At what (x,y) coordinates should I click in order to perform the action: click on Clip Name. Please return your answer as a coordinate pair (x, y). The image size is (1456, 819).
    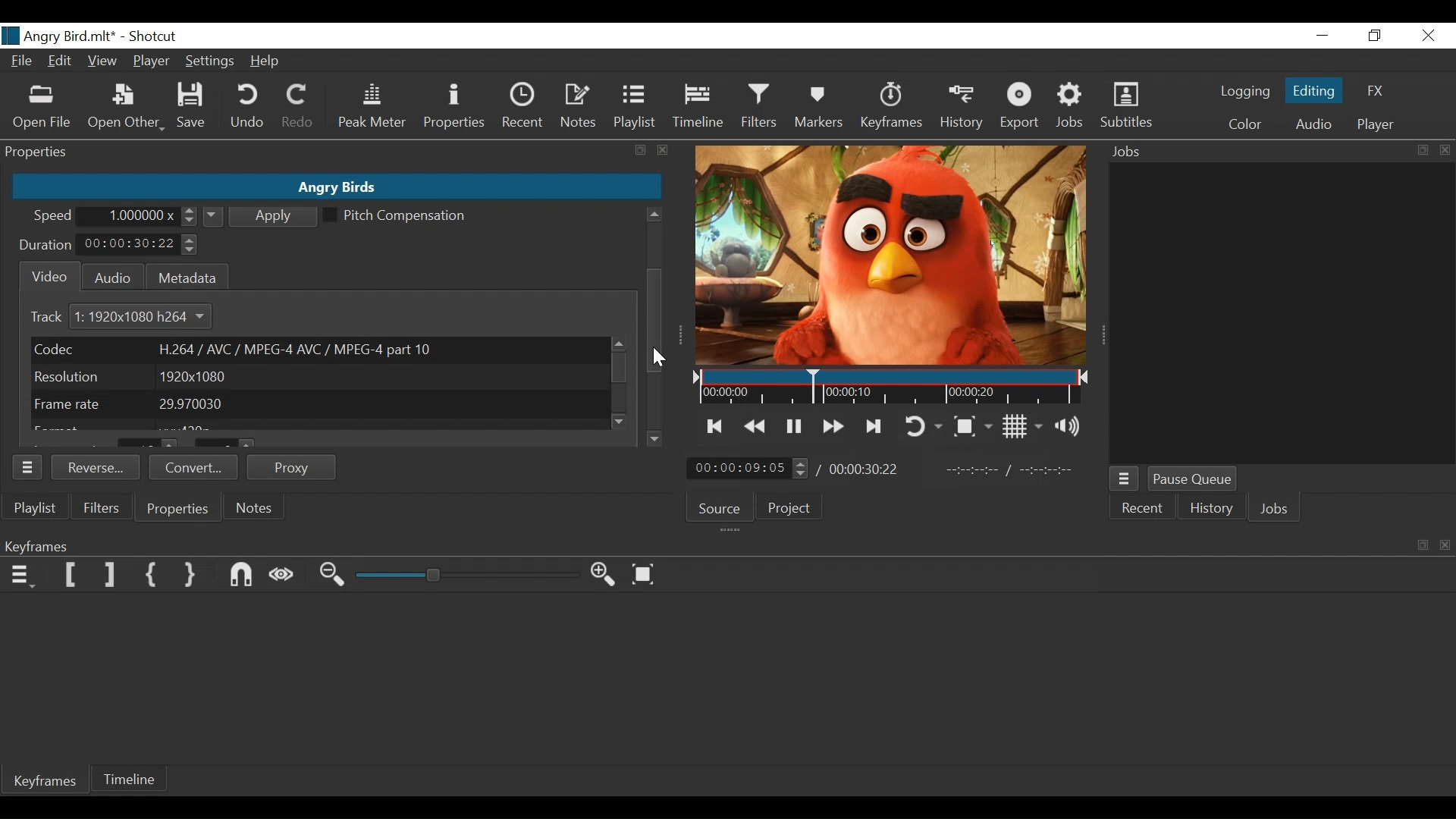
    Looking at the image, I should click on (335, 187).